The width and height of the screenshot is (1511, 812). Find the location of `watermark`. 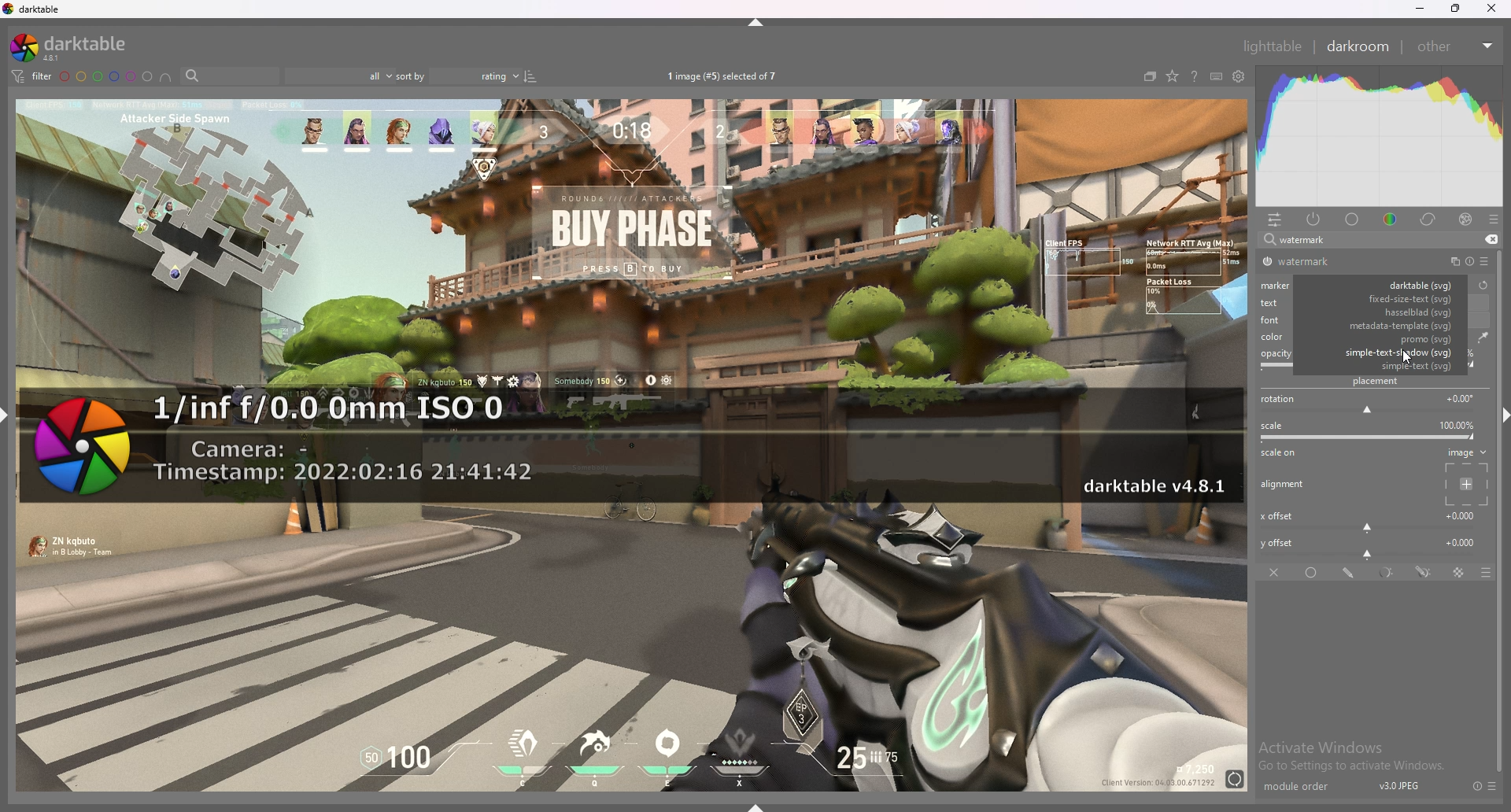

watermark is located at coordinates (630, 447).